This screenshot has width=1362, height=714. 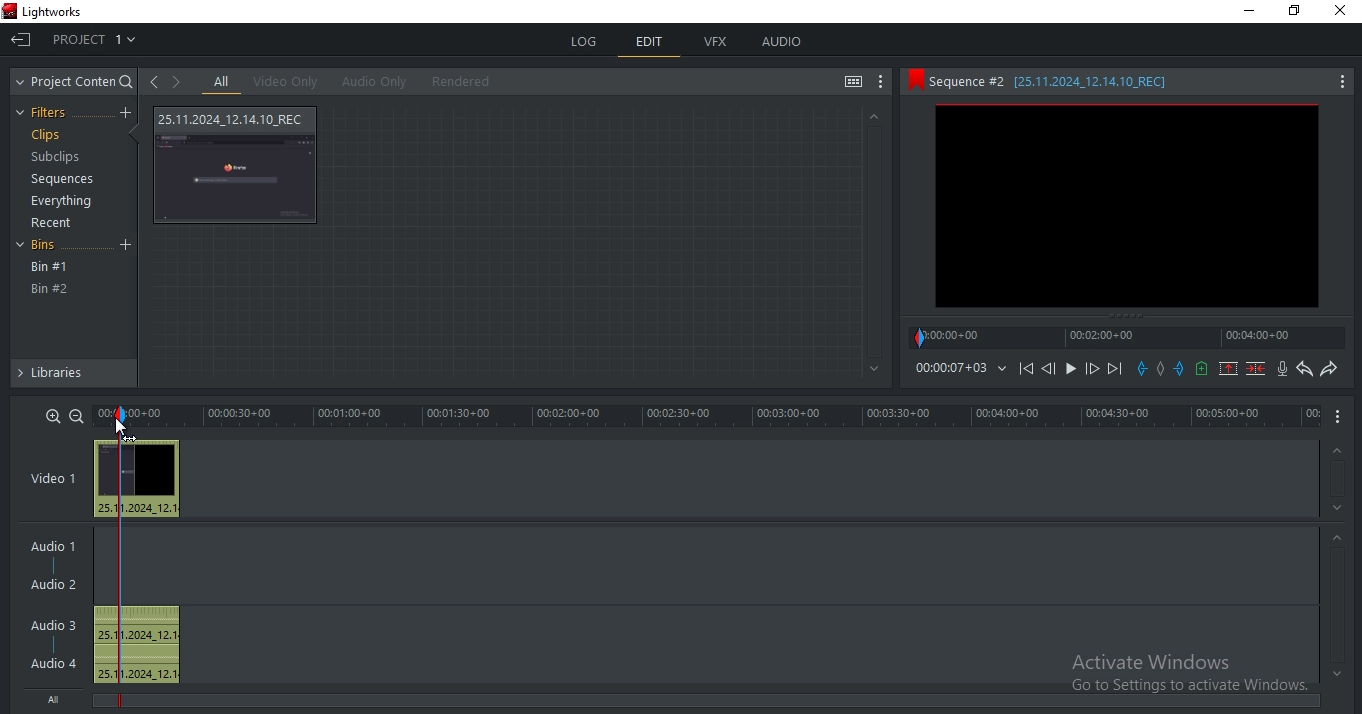 I want to click on add a mark in, so click(x=1162, y=371).